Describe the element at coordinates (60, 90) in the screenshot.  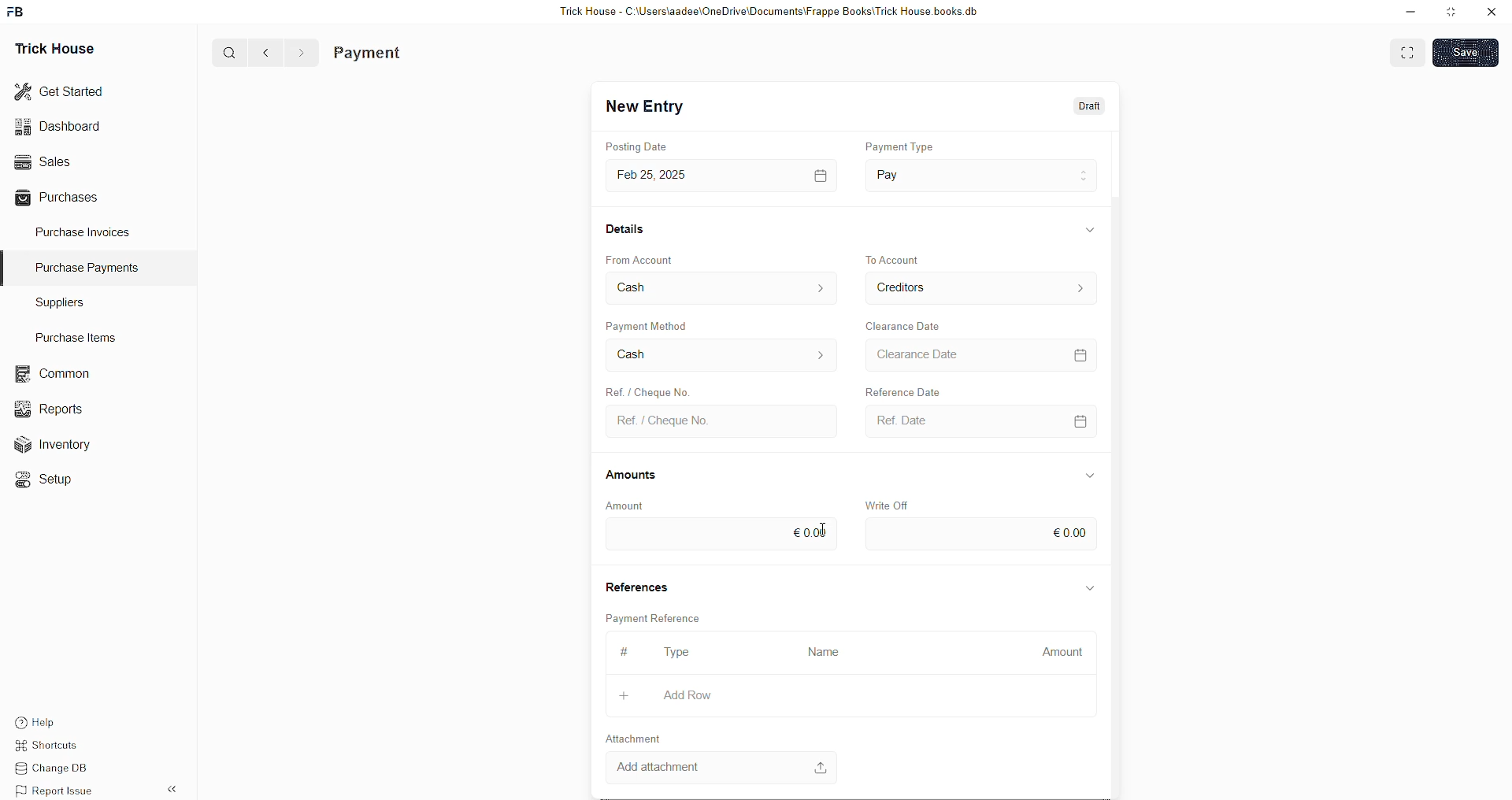
I see ` Get Started` at that location.